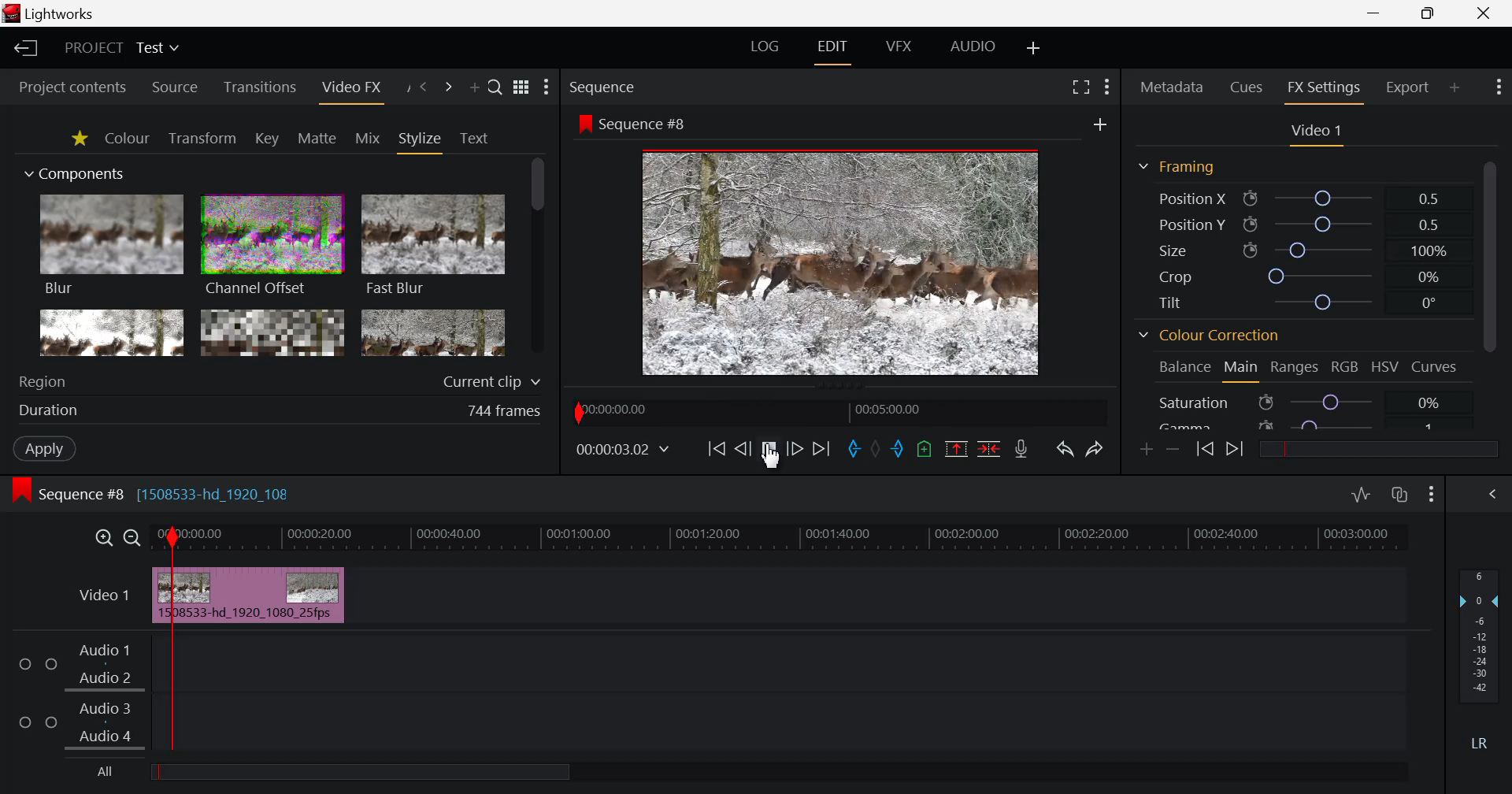 This screenshot has width=1512, height=794. What do you see at coordinates (1487, 13) in the screenshot?
I see `Close` at bounding box center [1487, 13].